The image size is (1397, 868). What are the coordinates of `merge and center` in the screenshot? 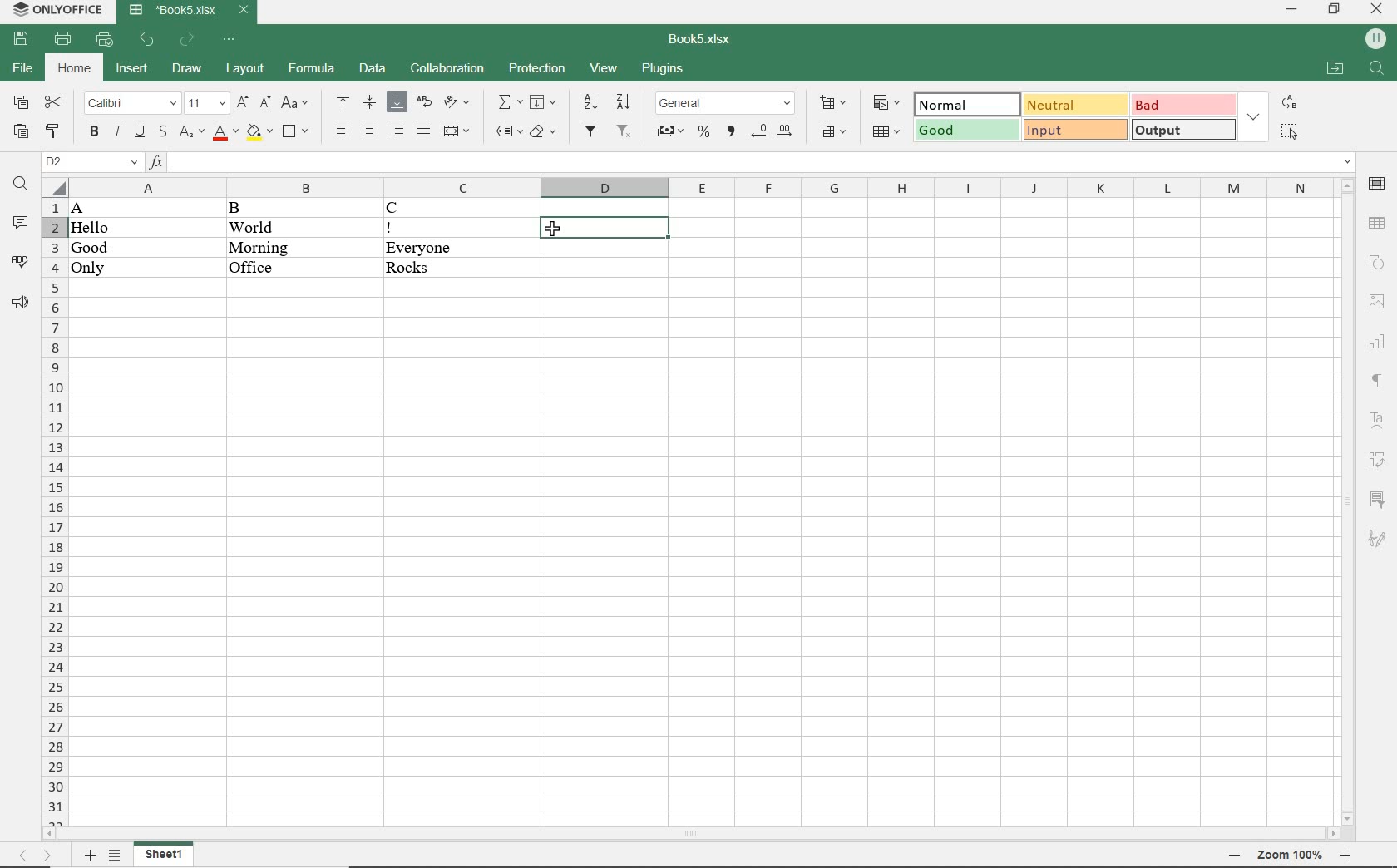 It's located at (457, 132).